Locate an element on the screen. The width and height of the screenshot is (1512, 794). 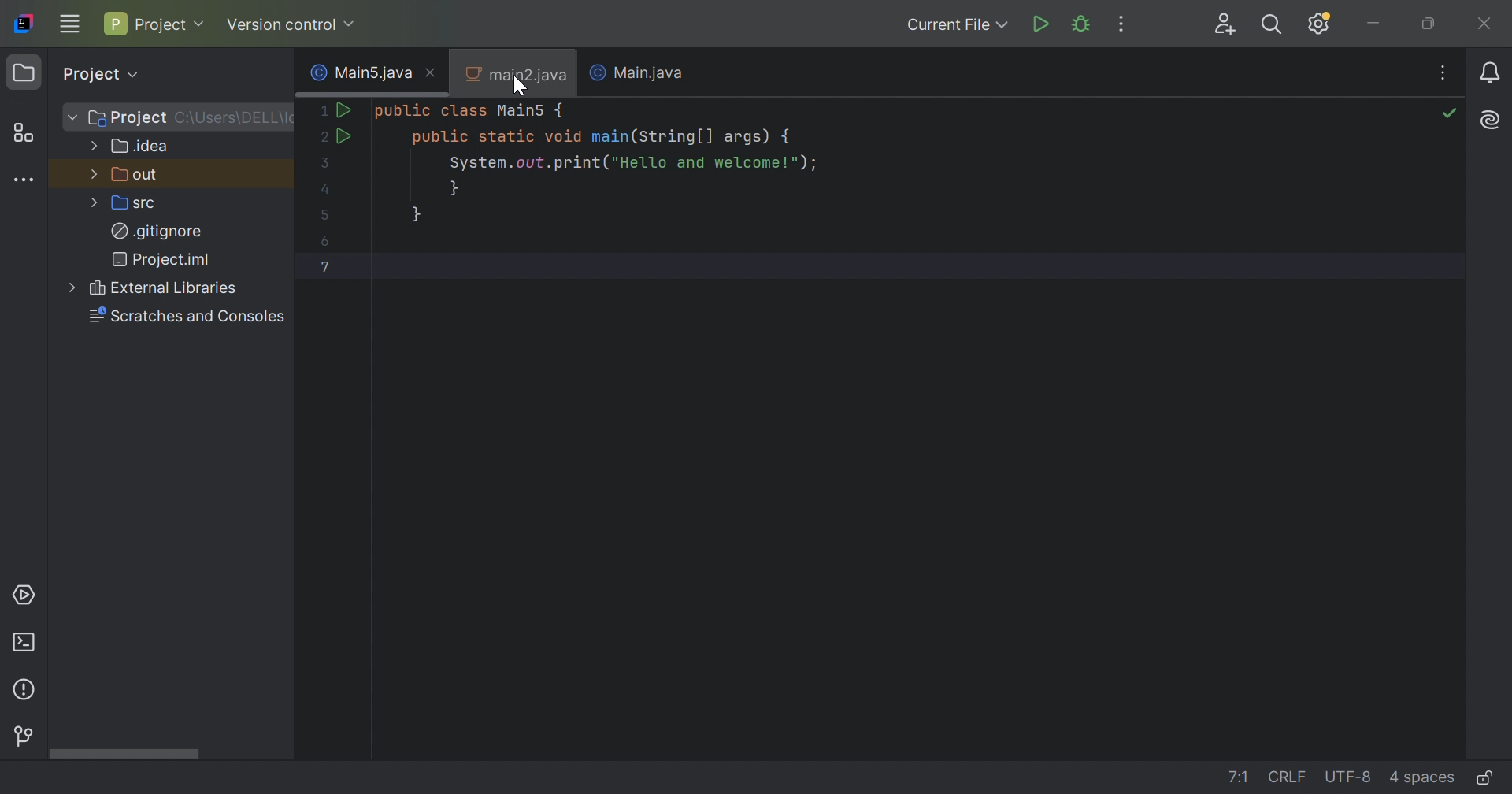
Search Everywhere is located at coordinates (1270, 25).